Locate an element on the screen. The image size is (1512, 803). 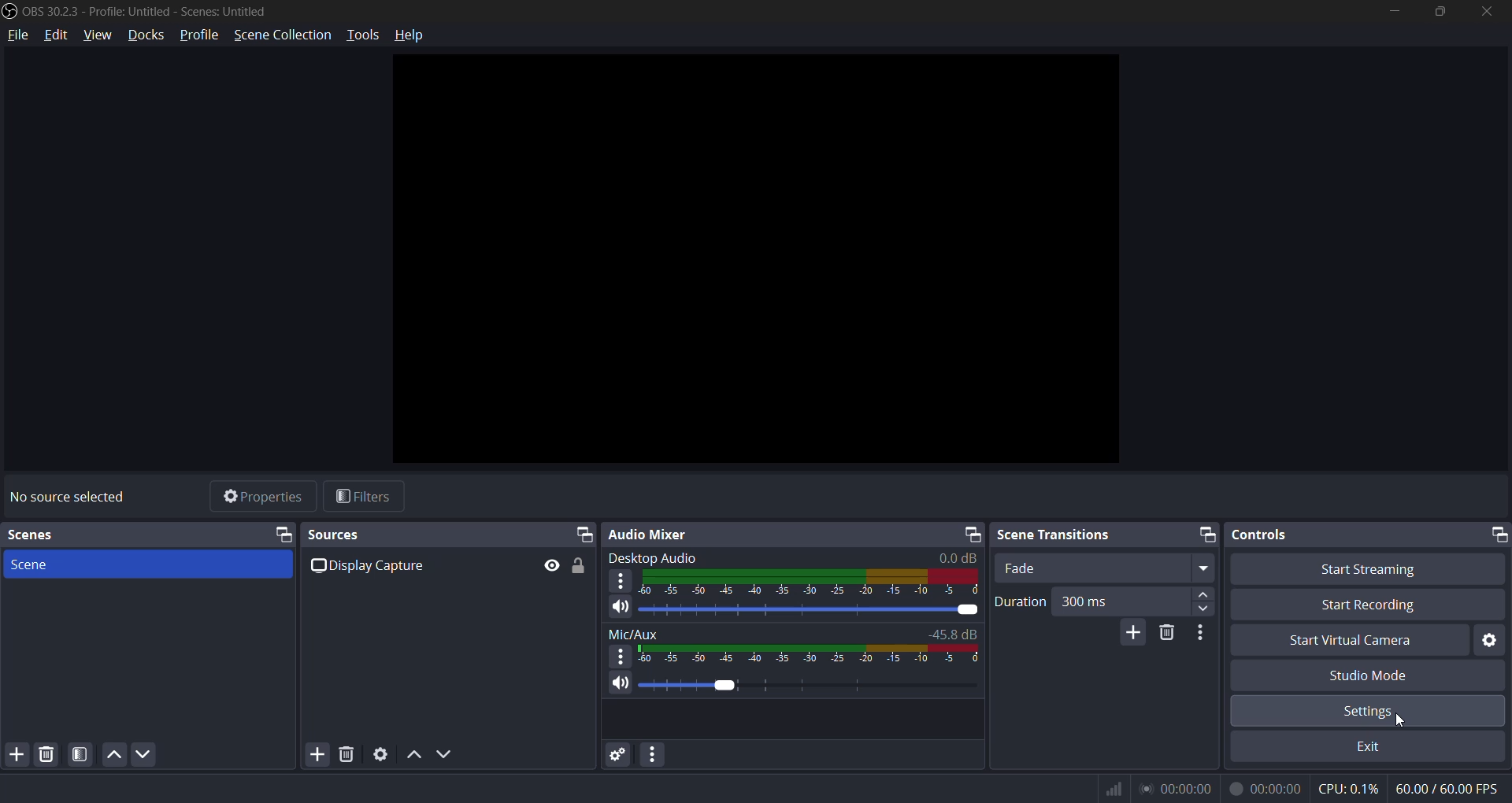
increase is located at coordinates (1206, 594).